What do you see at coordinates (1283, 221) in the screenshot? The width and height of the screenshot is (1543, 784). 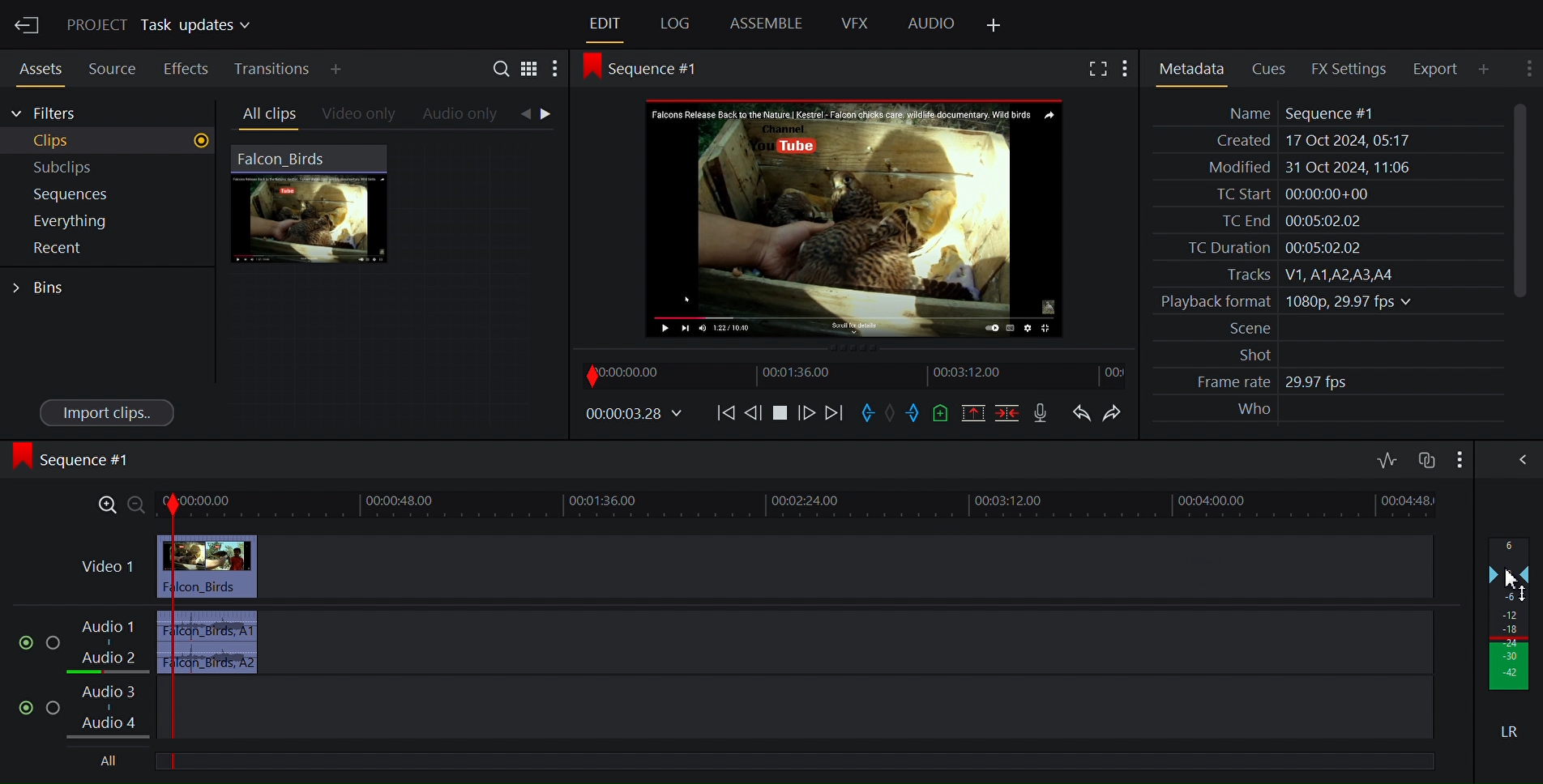 I see `TC End  00:05:02.02` at bounding box center [1283, 221].